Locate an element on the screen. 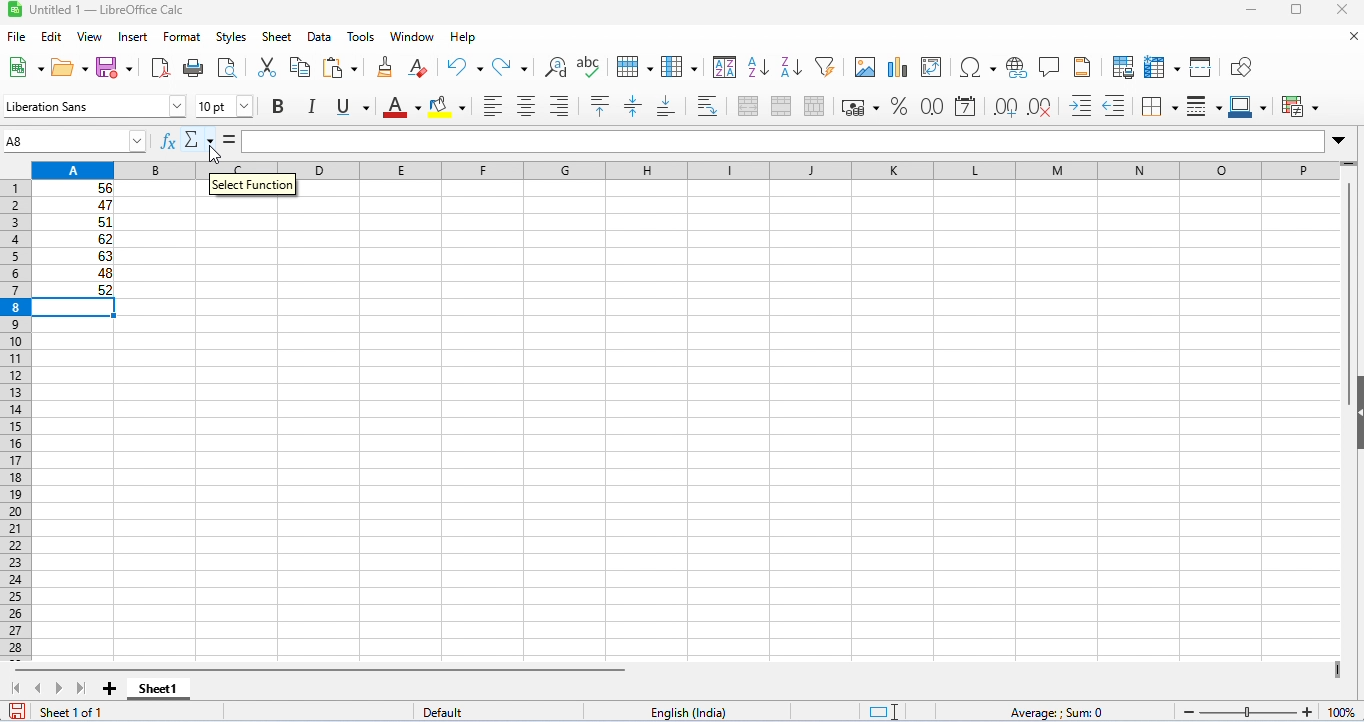 The image size is (1364, 722). filter is located at coordinates (825, 65).